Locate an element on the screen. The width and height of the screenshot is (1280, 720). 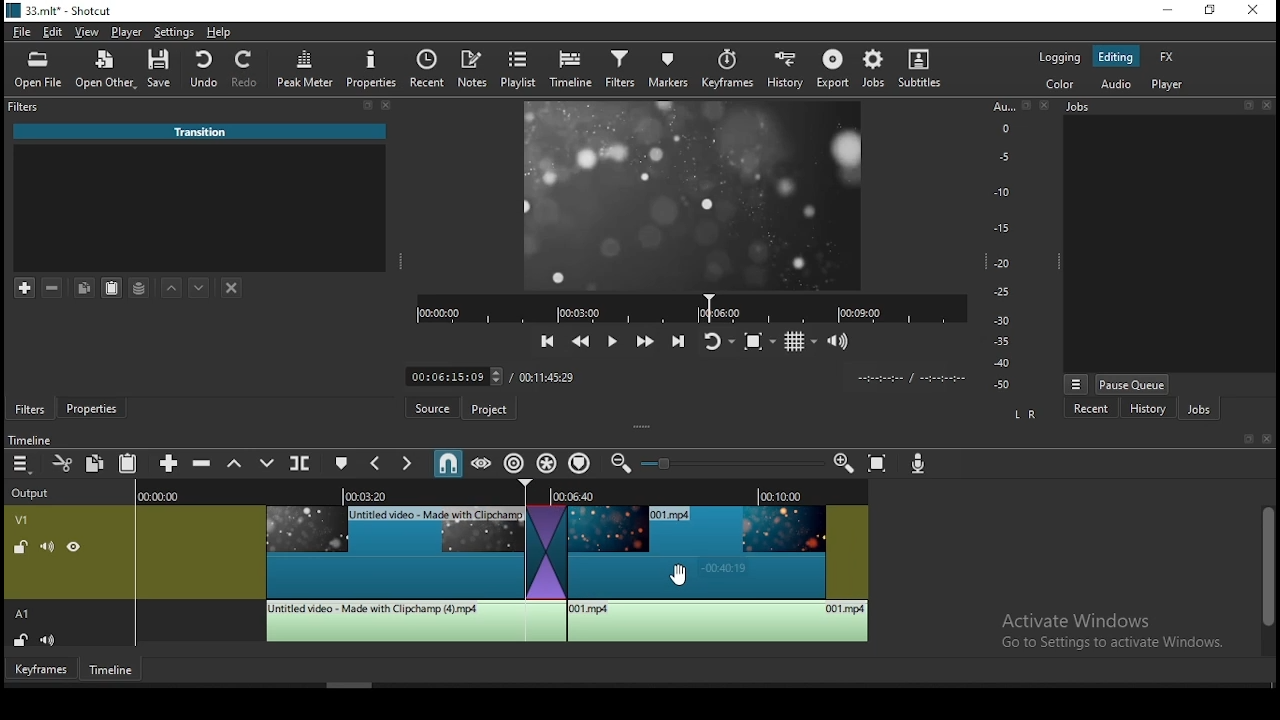
play/pause is located at coordinates (613, 341).